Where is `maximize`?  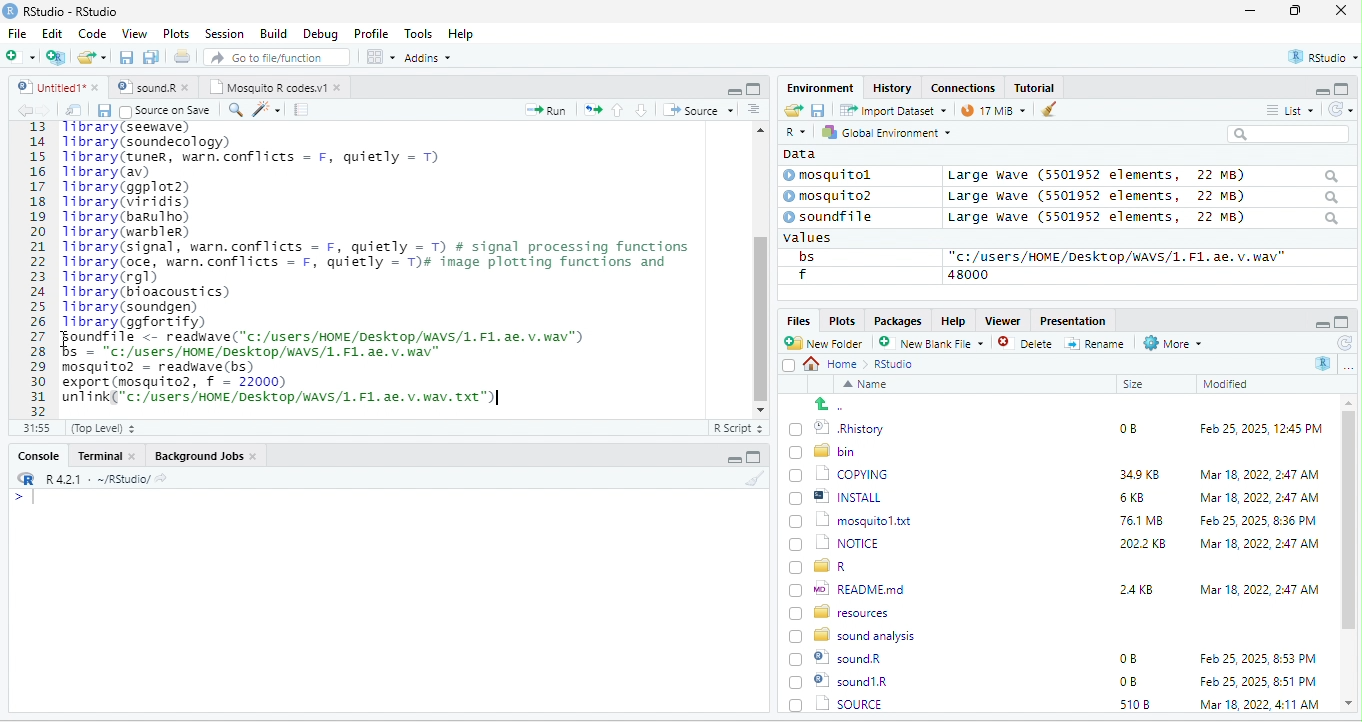 maximize is located at coordinates (1299, 12).